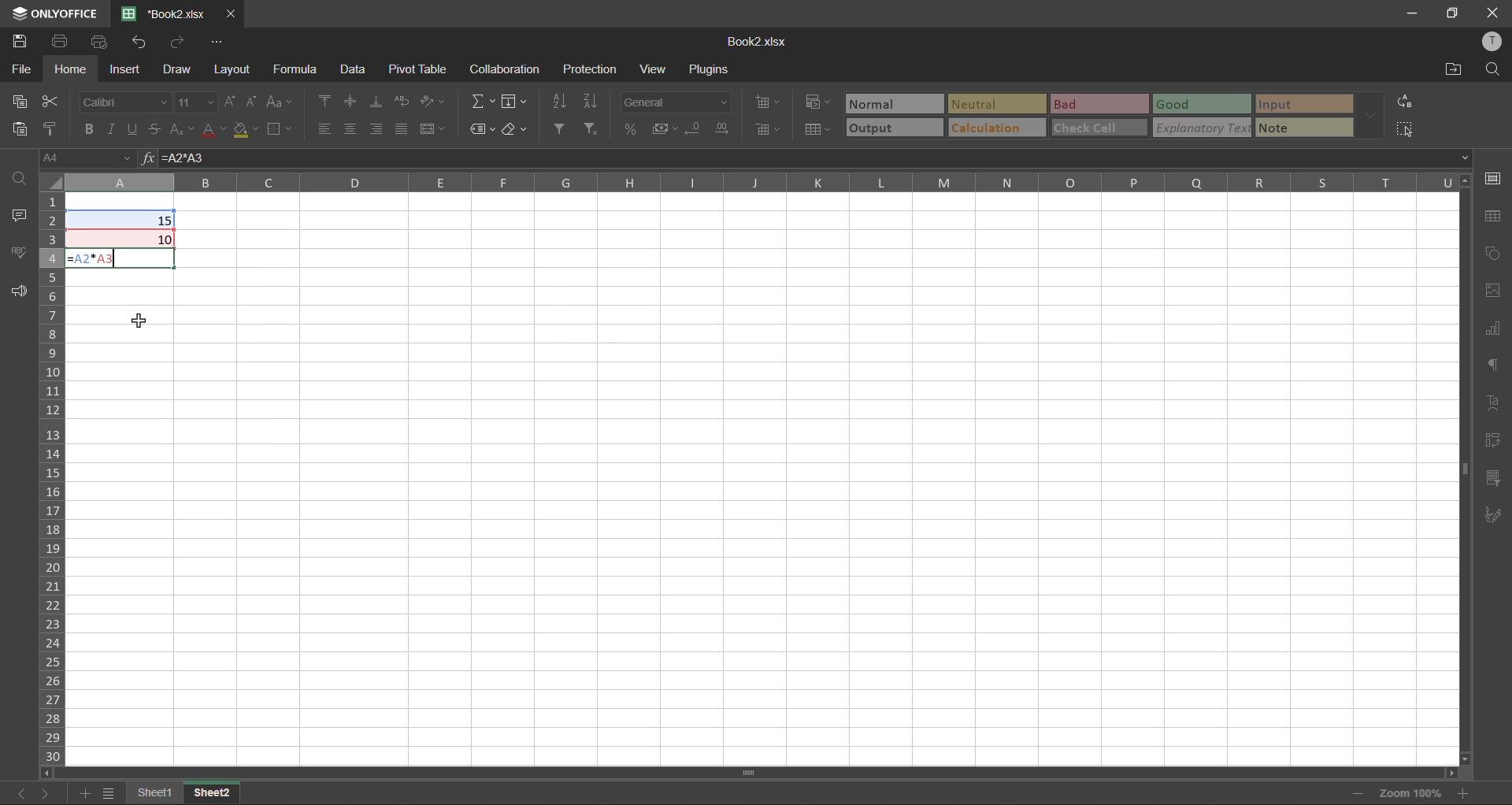  I want to click on text, so click(1491, 399).